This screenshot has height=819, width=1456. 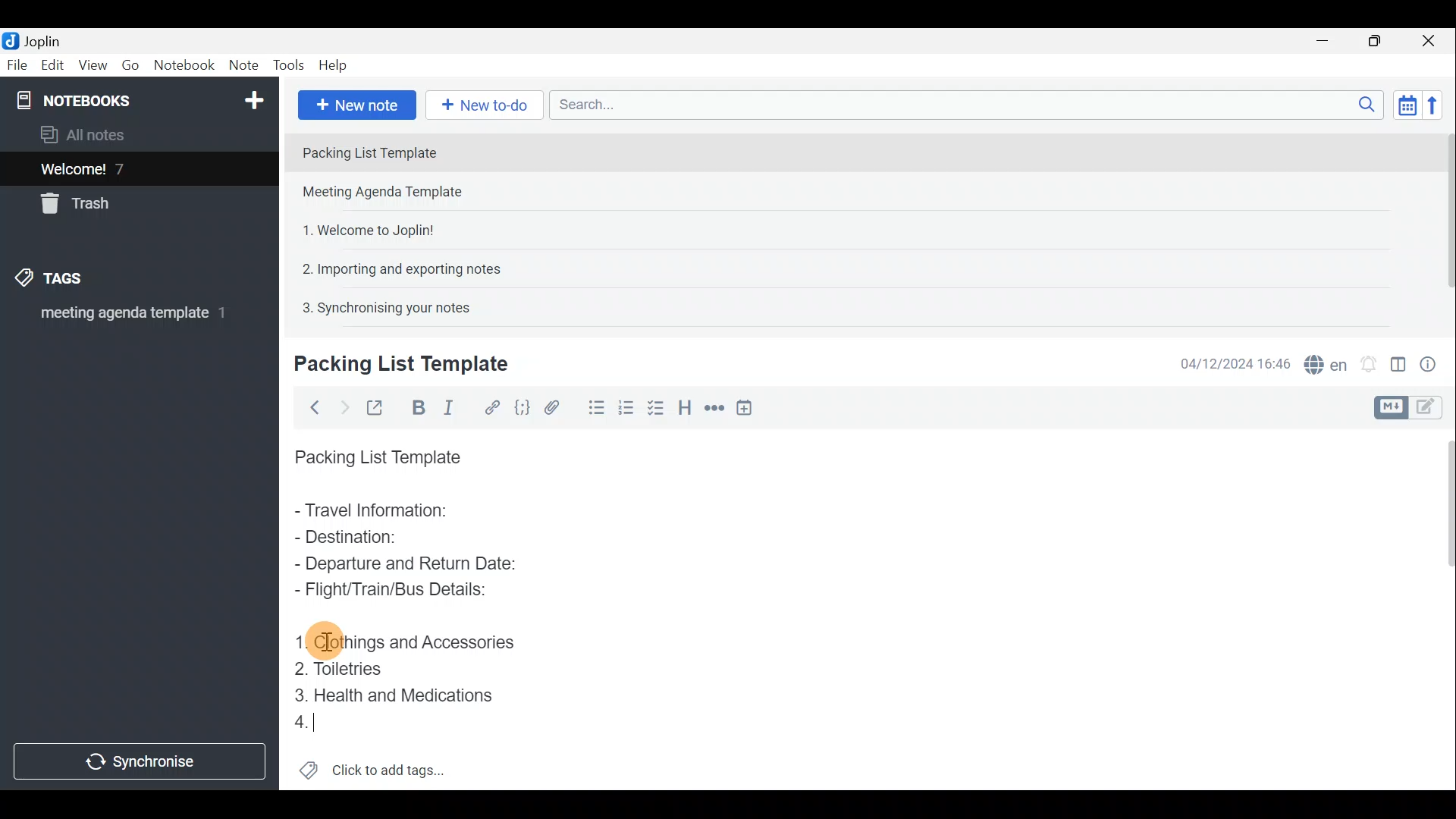 I want to click on Notebook, so click(x=137, y=99).